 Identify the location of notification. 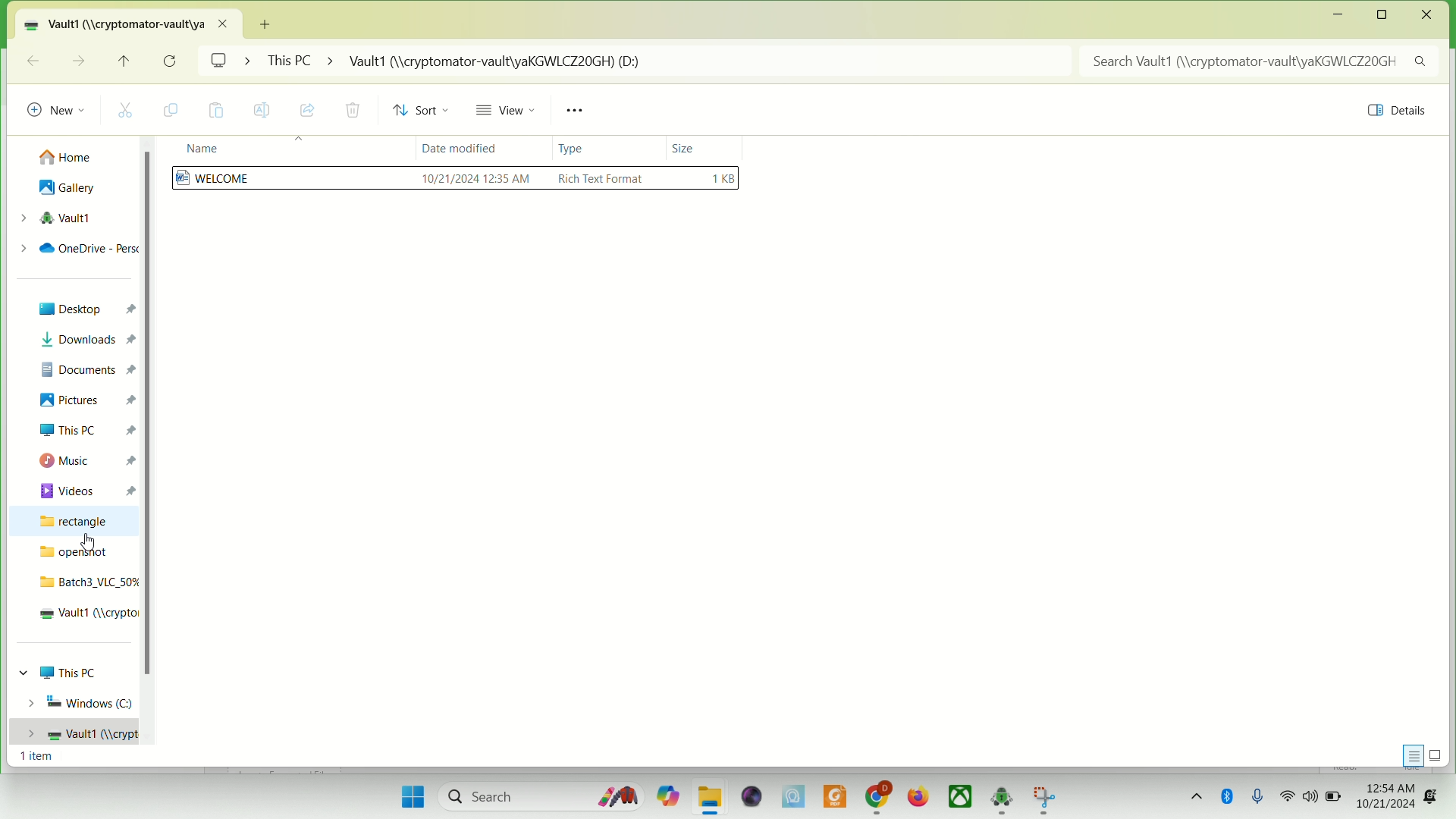
(1432, 798).